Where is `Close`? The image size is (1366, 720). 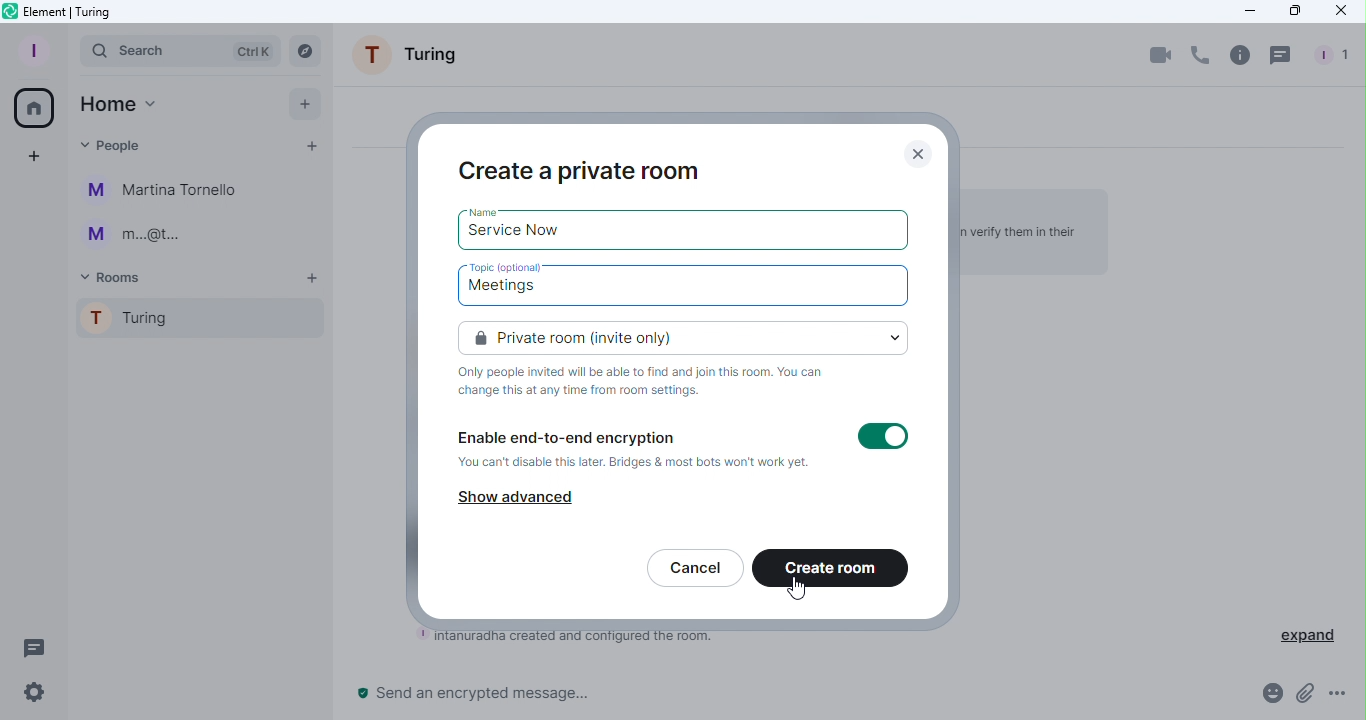 Close is located at coordinates (924, 152).